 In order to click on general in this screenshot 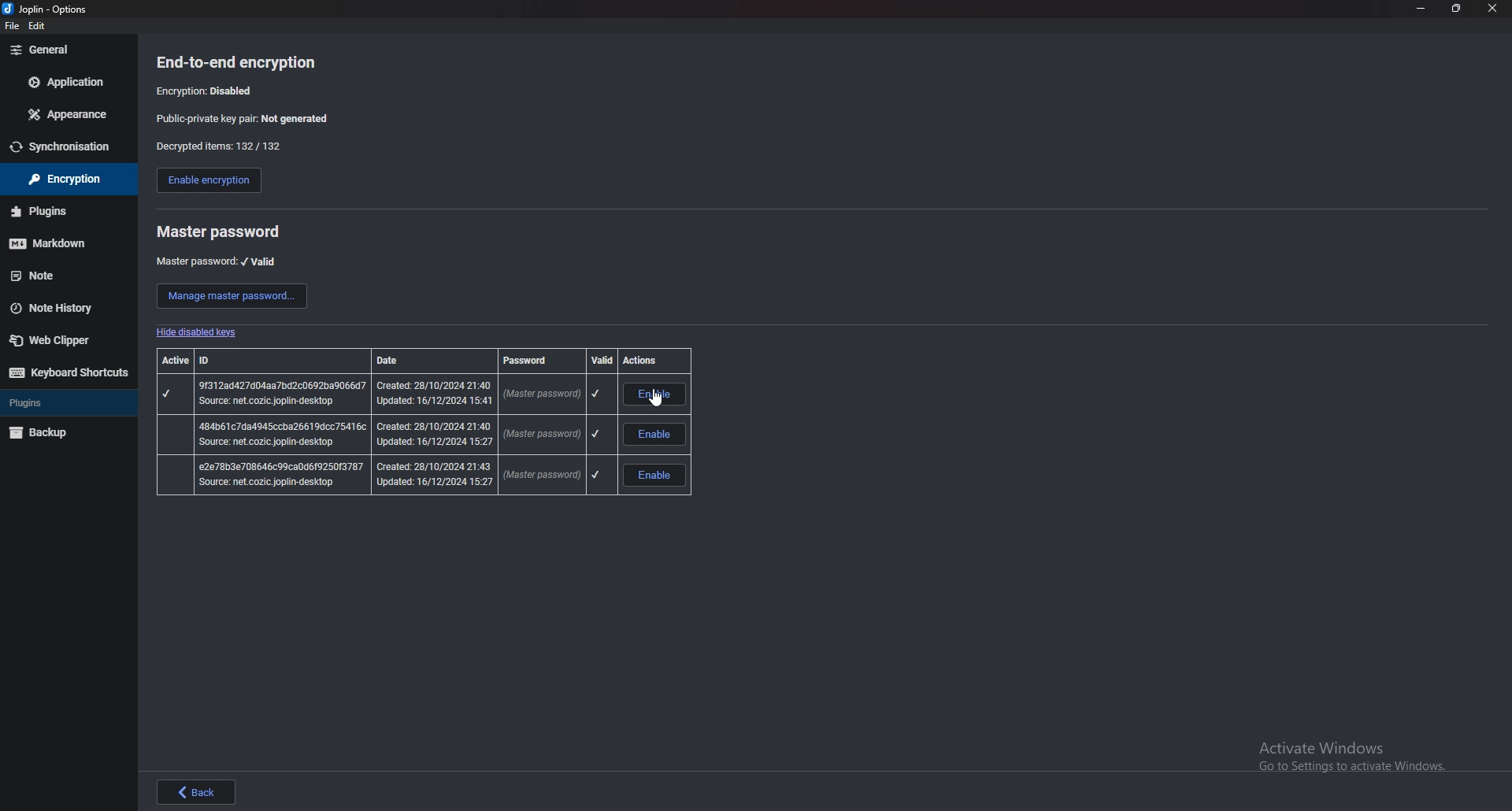, I will do `click(66, 50)`.